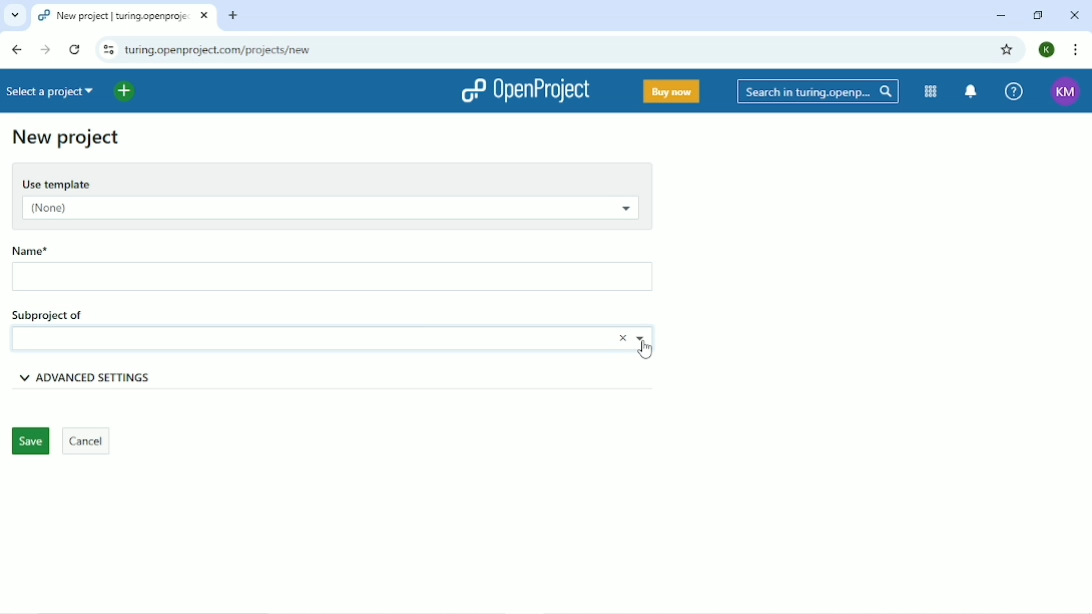 Image resolution: width=1092 pixels, height=614 pixels. I want to click on KM, so click(1066, 92).